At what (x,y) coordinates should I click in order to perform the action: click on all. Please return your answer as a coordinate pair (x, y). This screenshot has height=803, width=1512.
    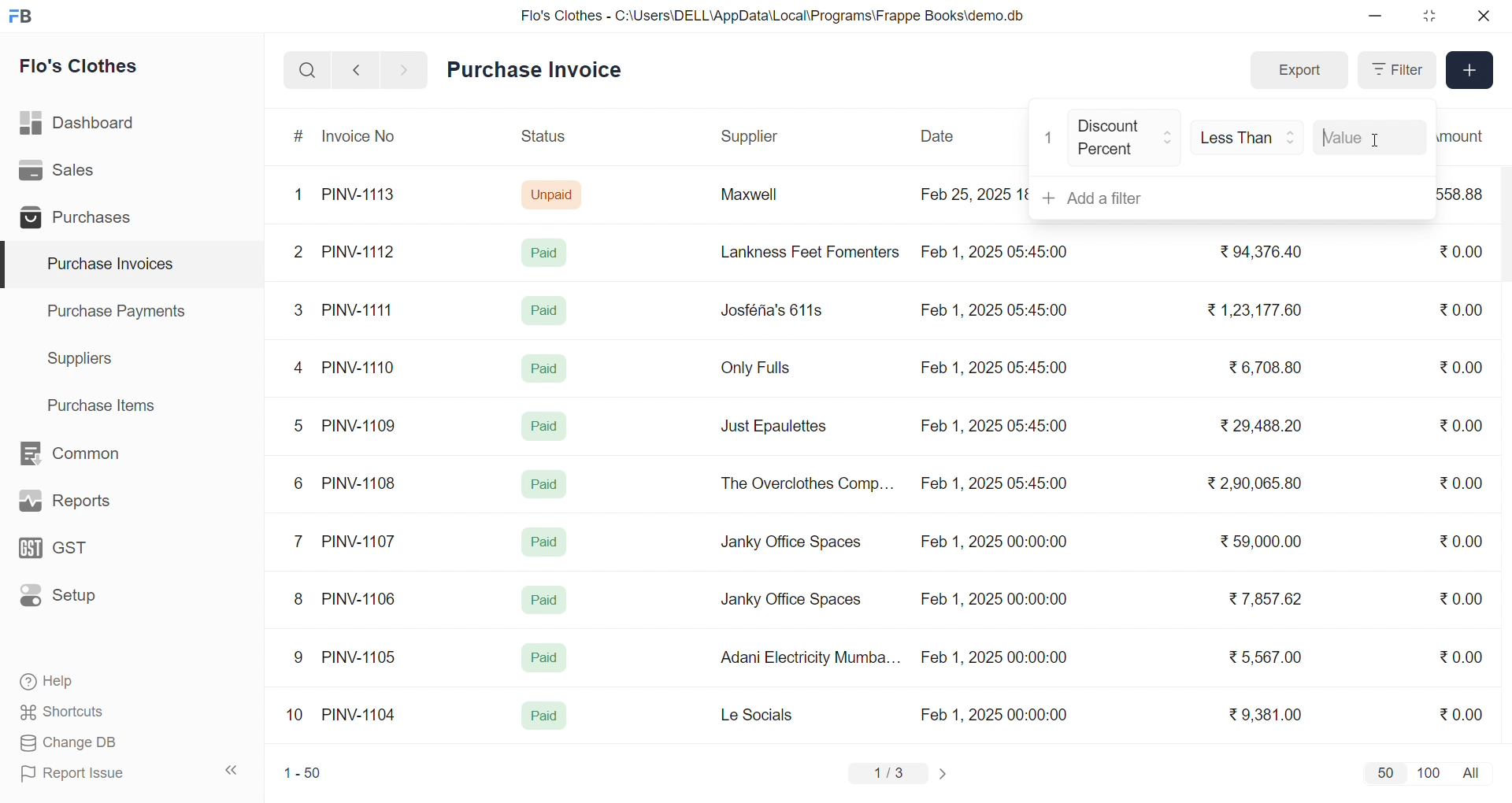
    Looking at the image, I should click on (1474, 772).